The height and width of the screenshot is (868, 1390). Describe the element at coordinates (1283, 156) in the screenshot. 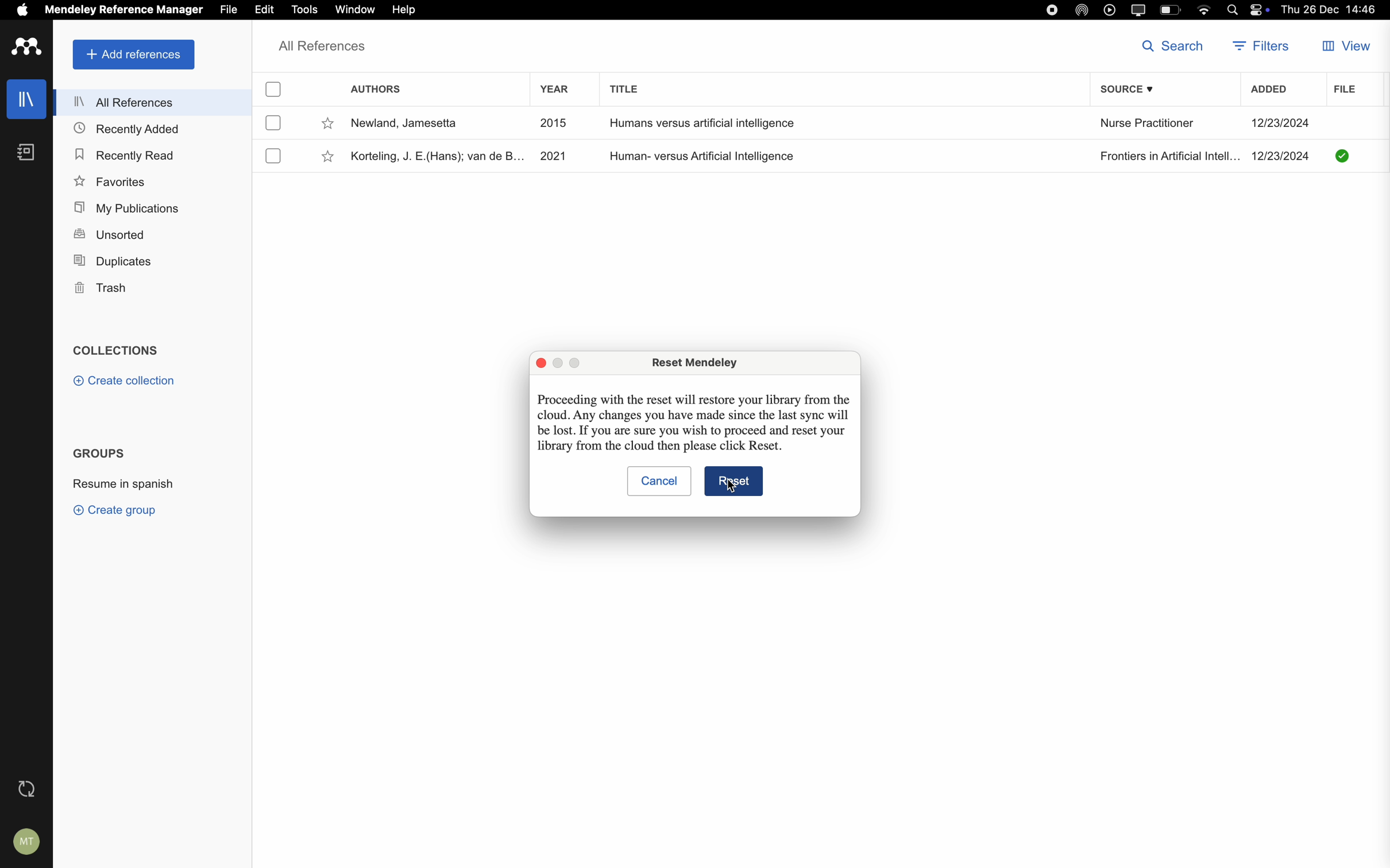

I see `12/23/2024` at that location.